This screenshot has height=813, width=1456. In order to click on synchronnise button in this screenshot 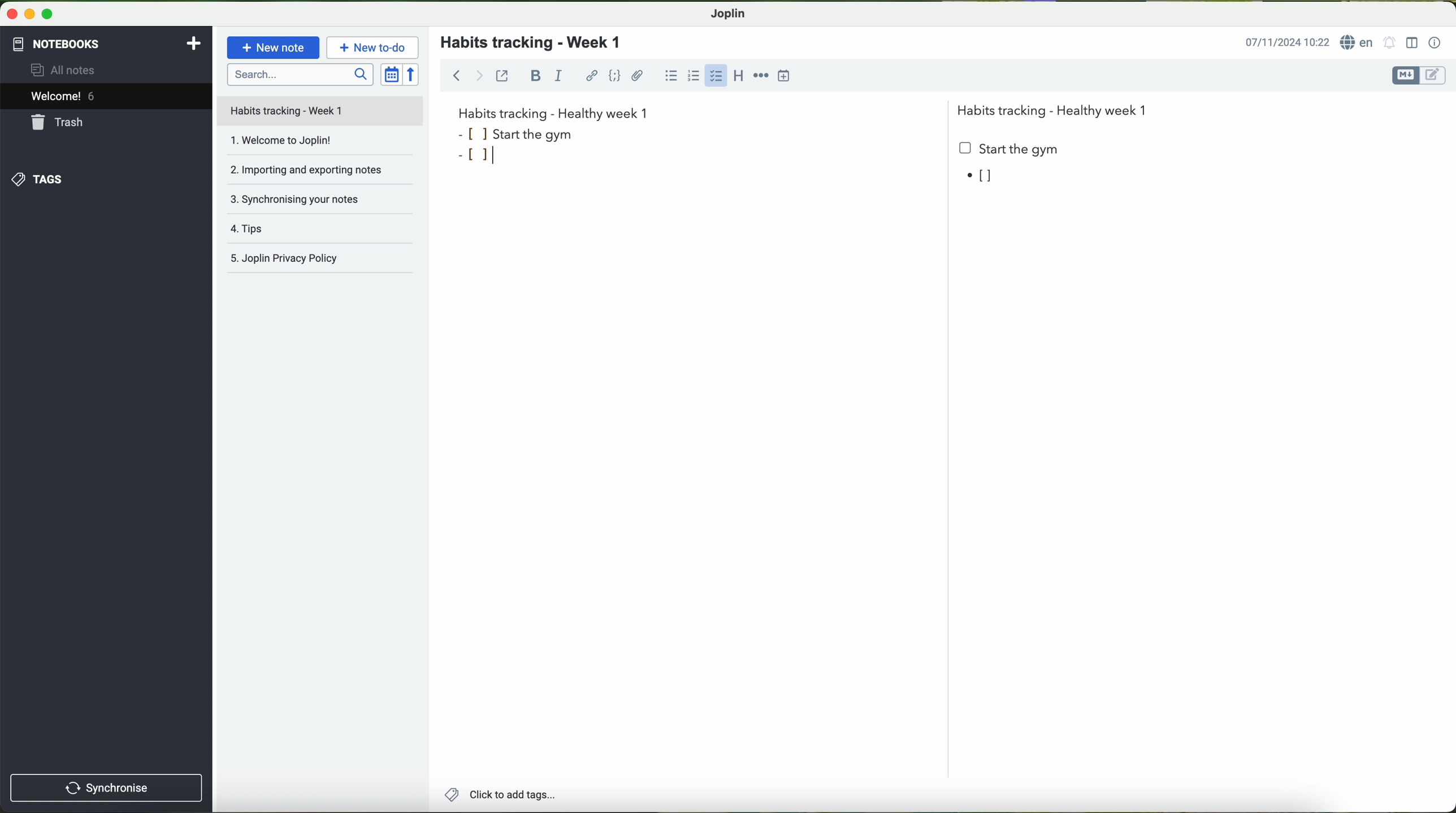, I will do `click(105, 789)`.